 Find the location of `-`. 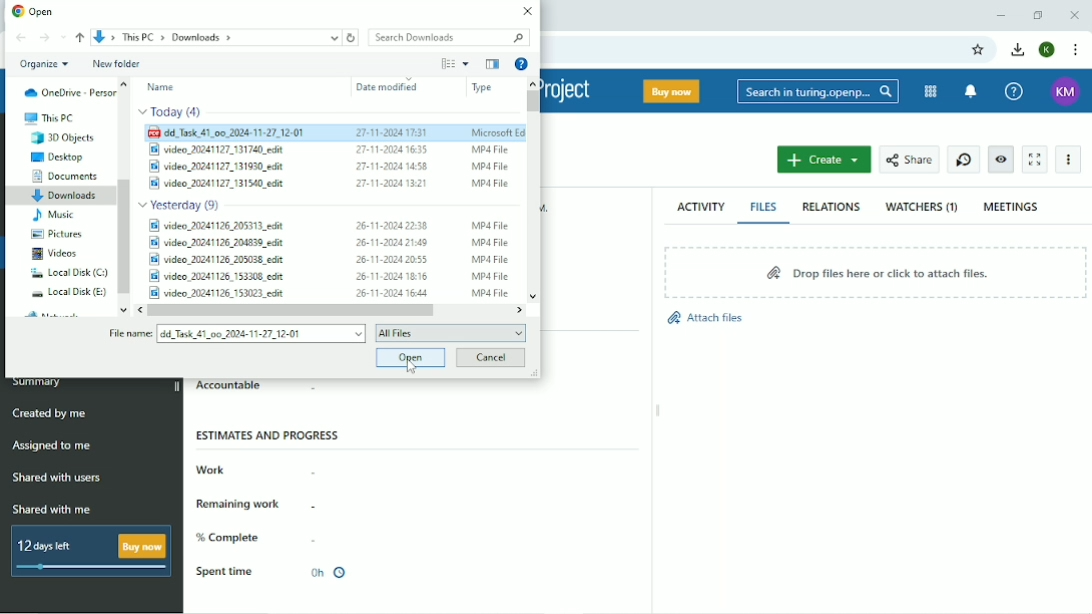

- is located at coordinates (315, 538).